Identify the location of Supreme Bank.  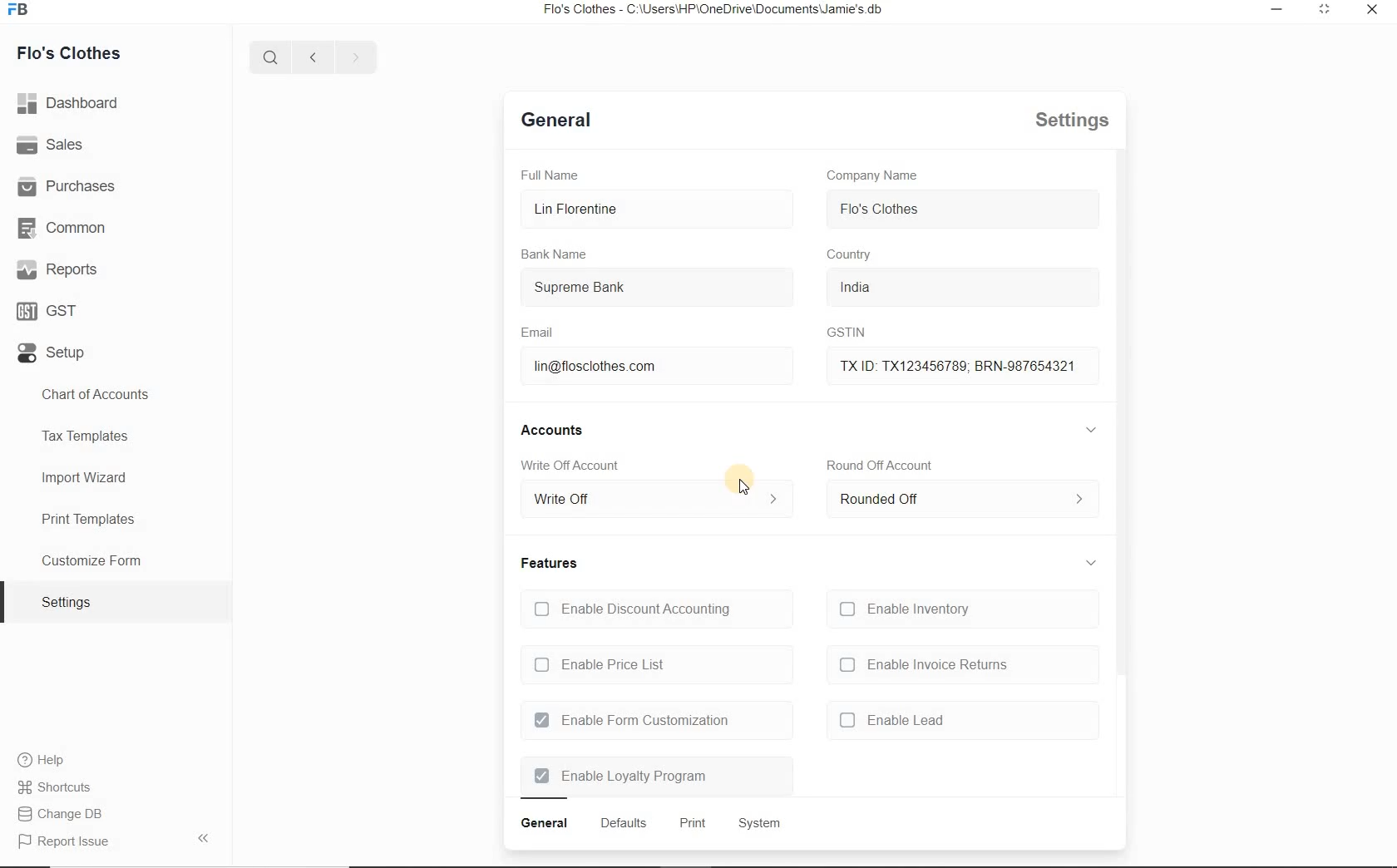
(633, 289).